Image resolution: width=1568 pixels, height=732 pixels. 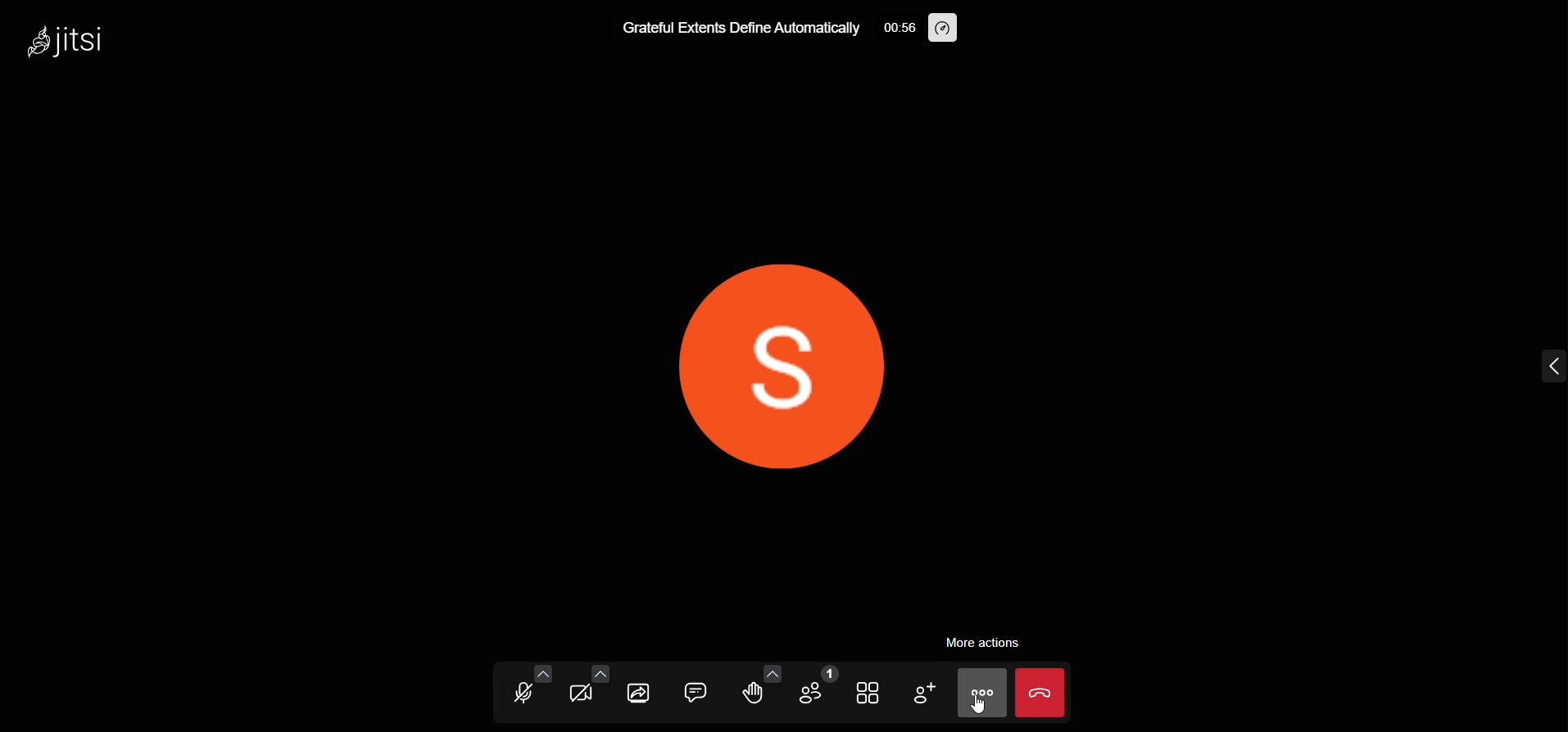 What do you see at coordinates (869, 692) in the screenshot?
I see `tile view` at bounding box center [869, 692].